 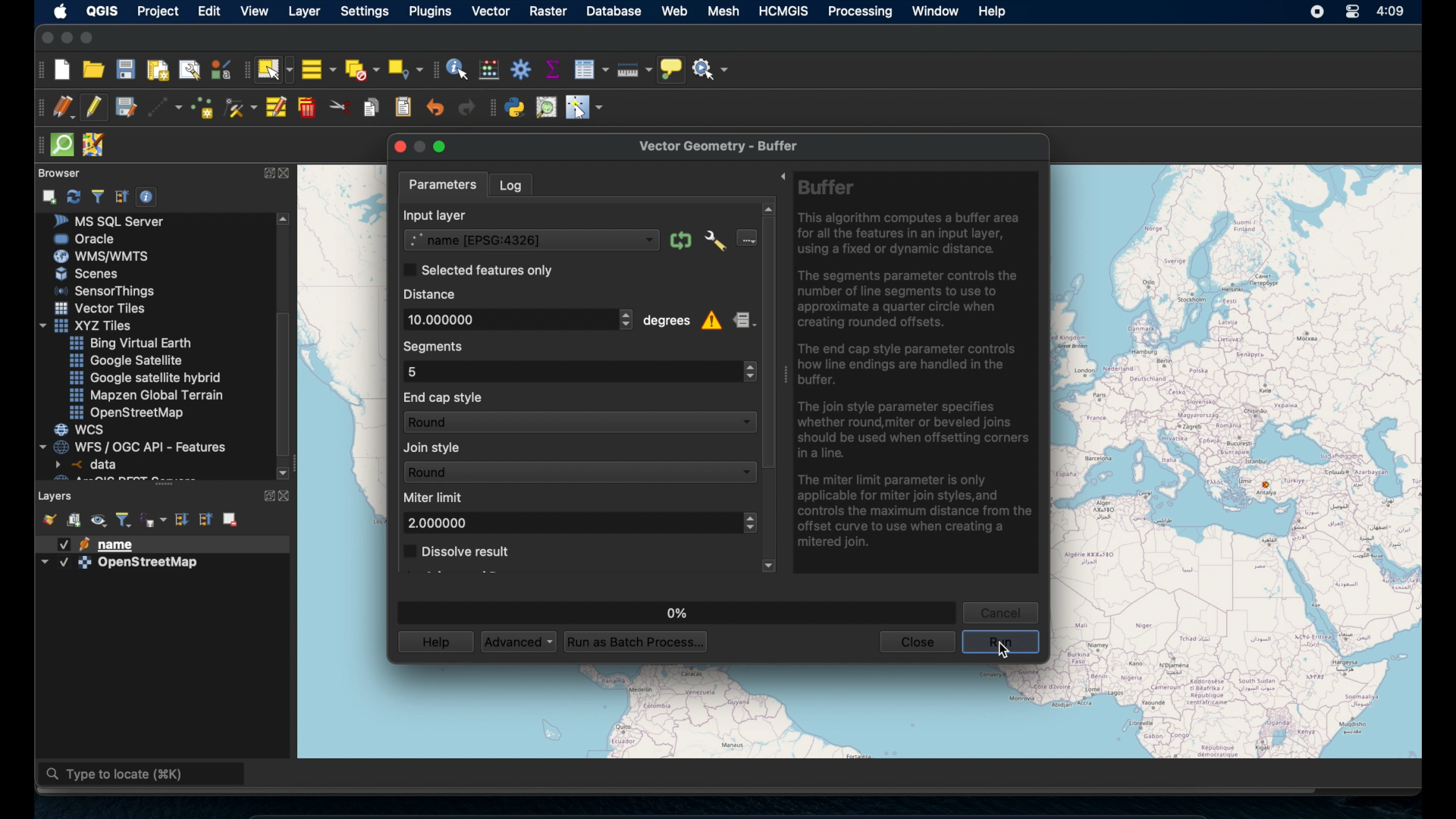 What do you see at coordinates (916, 642) in the screenshot?
I see `close` at bounding box center [916, 642].